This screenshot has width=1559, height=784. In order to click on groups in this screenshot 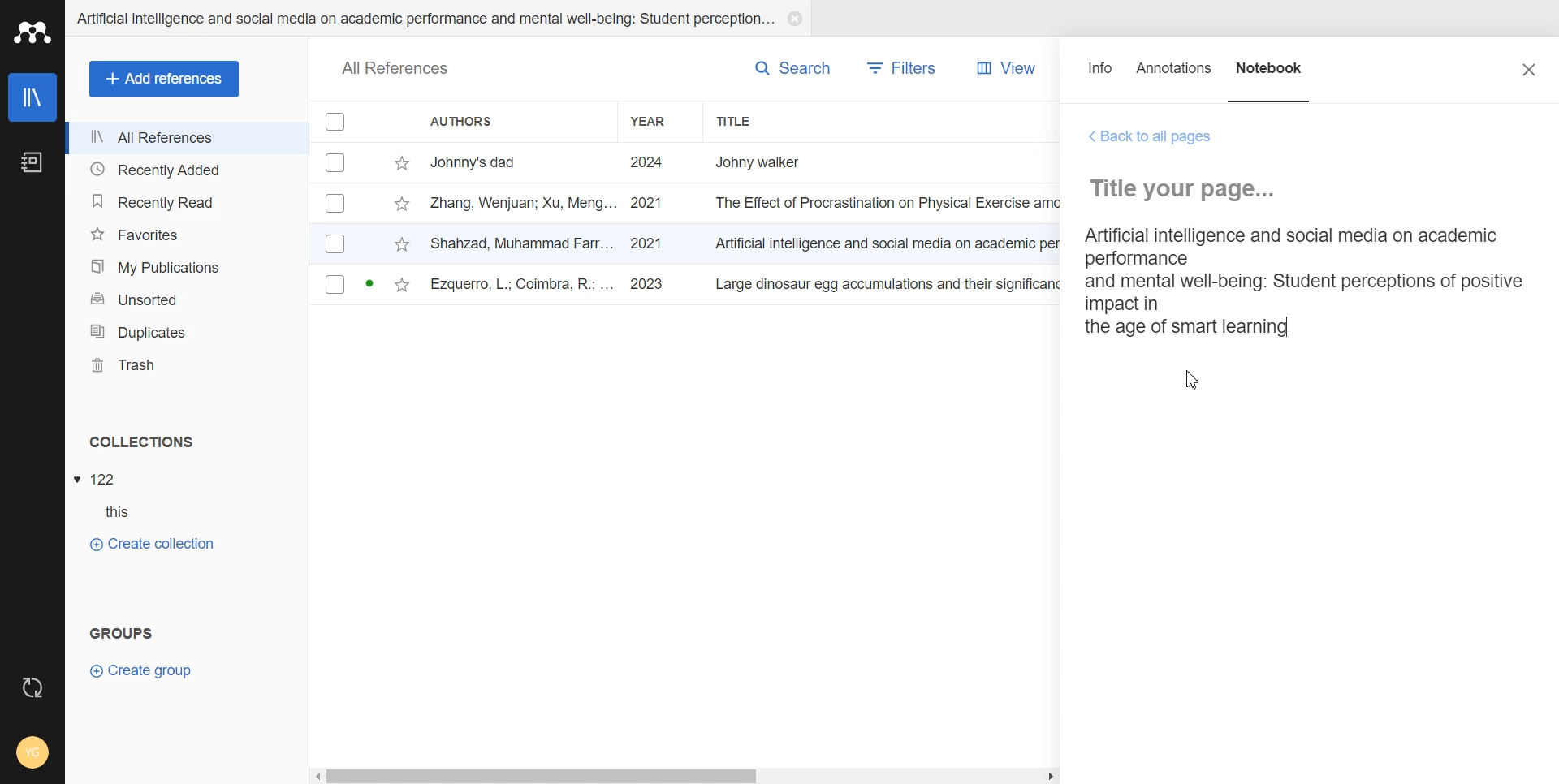, I will do `click(123, 631)`.